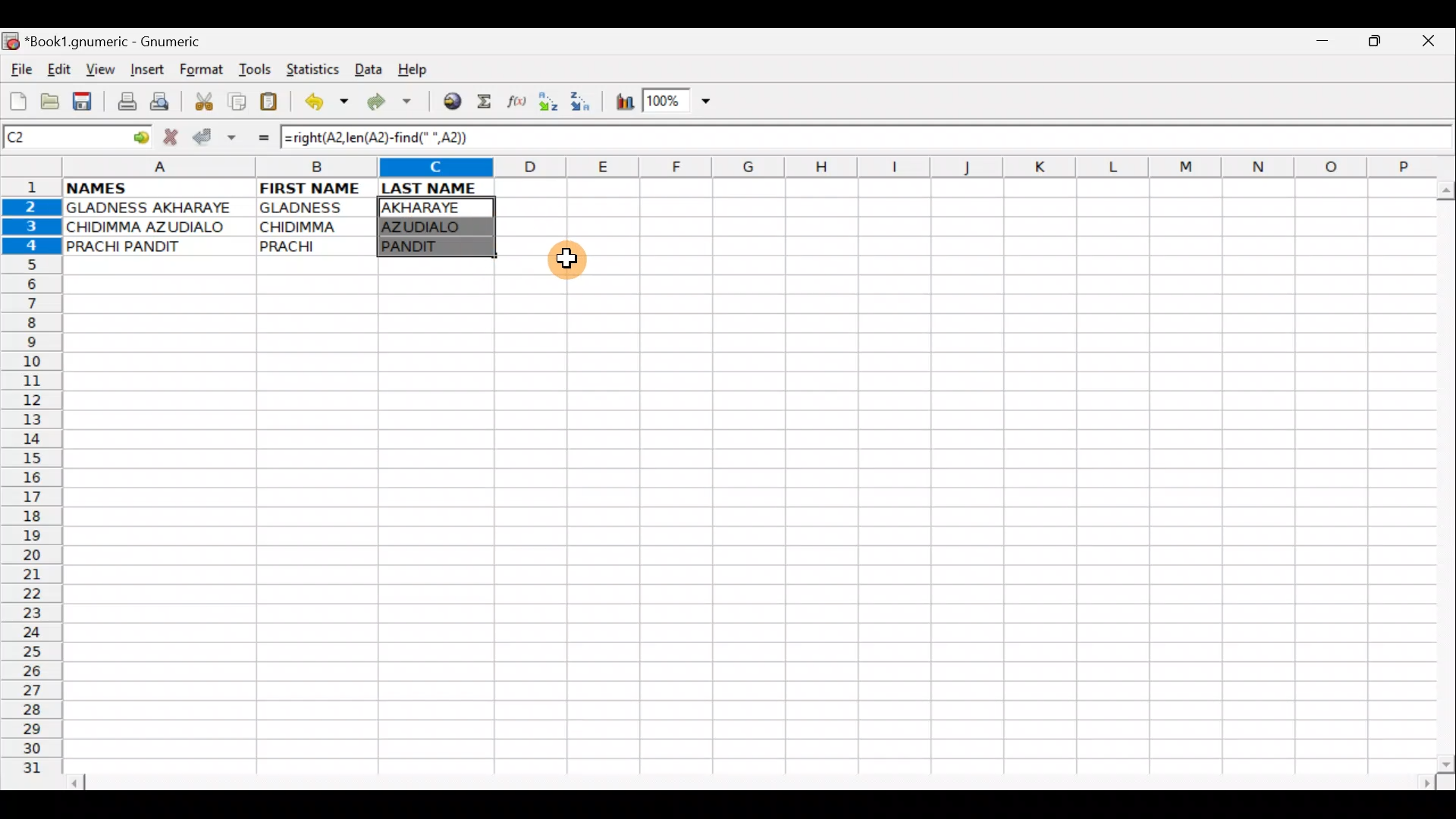 The width and height of the screenshot is (1456, 819). Describe the element at coordinates (149, 246) in the screenshot. I see `PRACHI PANDIT` at that location.